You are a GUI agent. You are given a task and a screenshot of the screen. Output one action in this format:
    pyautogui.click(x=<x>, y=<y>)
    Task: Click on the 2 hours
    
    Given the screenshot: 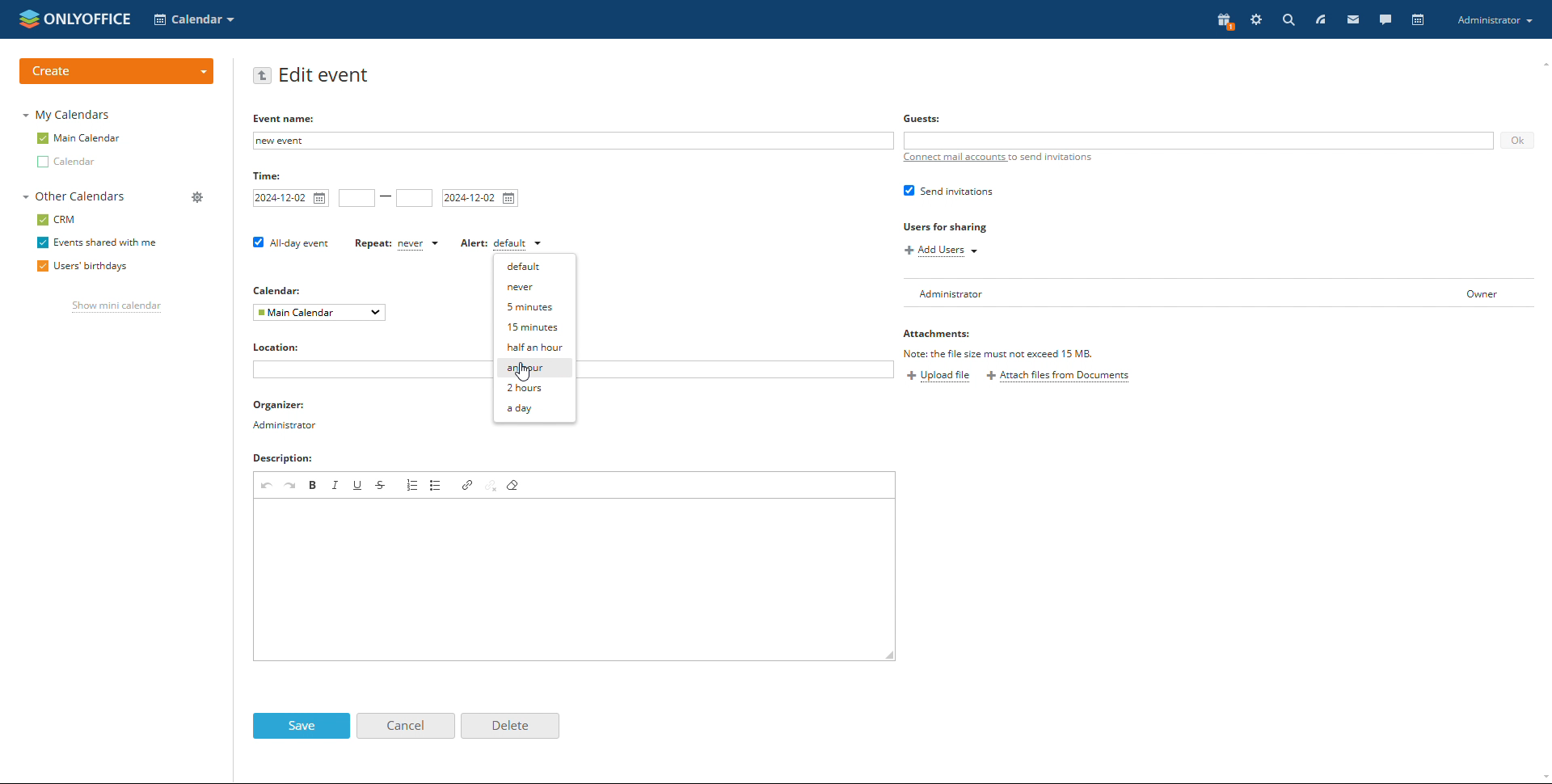 What is the action you would take?
    pyautogui.click(x=533, y=388)
    